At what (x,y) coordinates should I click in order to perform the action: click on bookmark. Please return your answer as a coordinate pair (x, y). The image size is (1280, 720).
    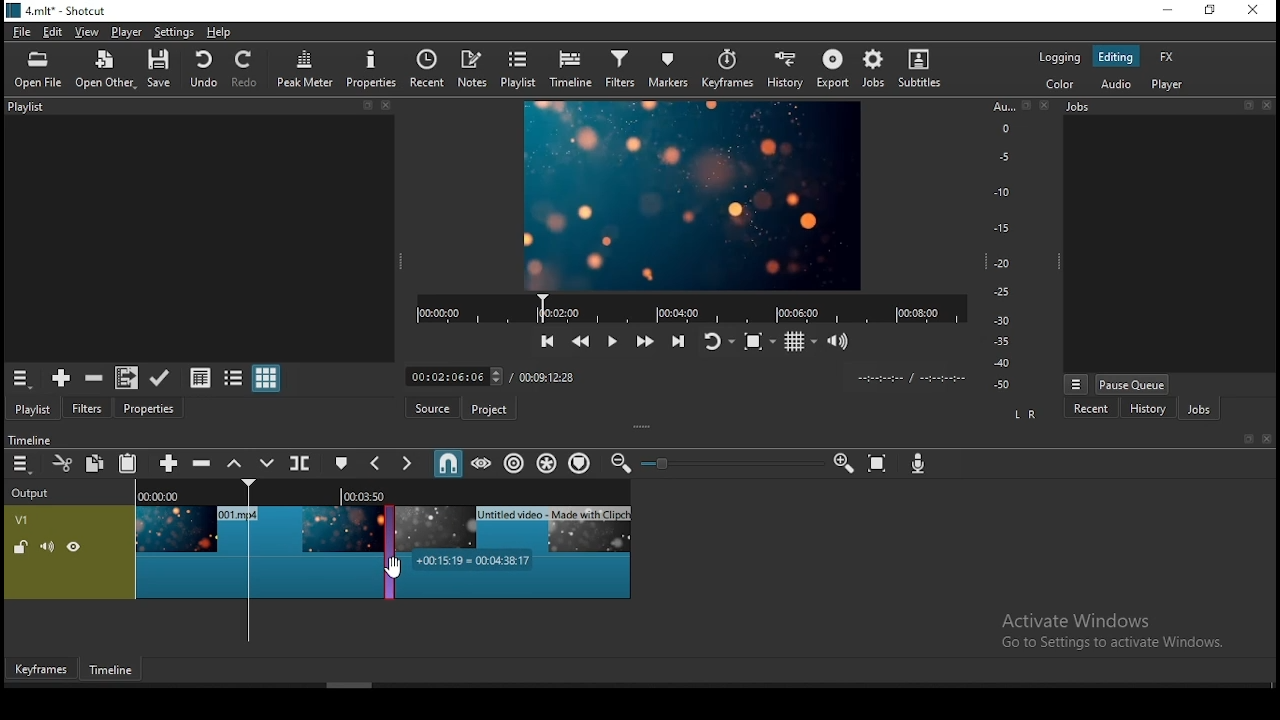
    Looking at the image, I should click on (1243, 439).